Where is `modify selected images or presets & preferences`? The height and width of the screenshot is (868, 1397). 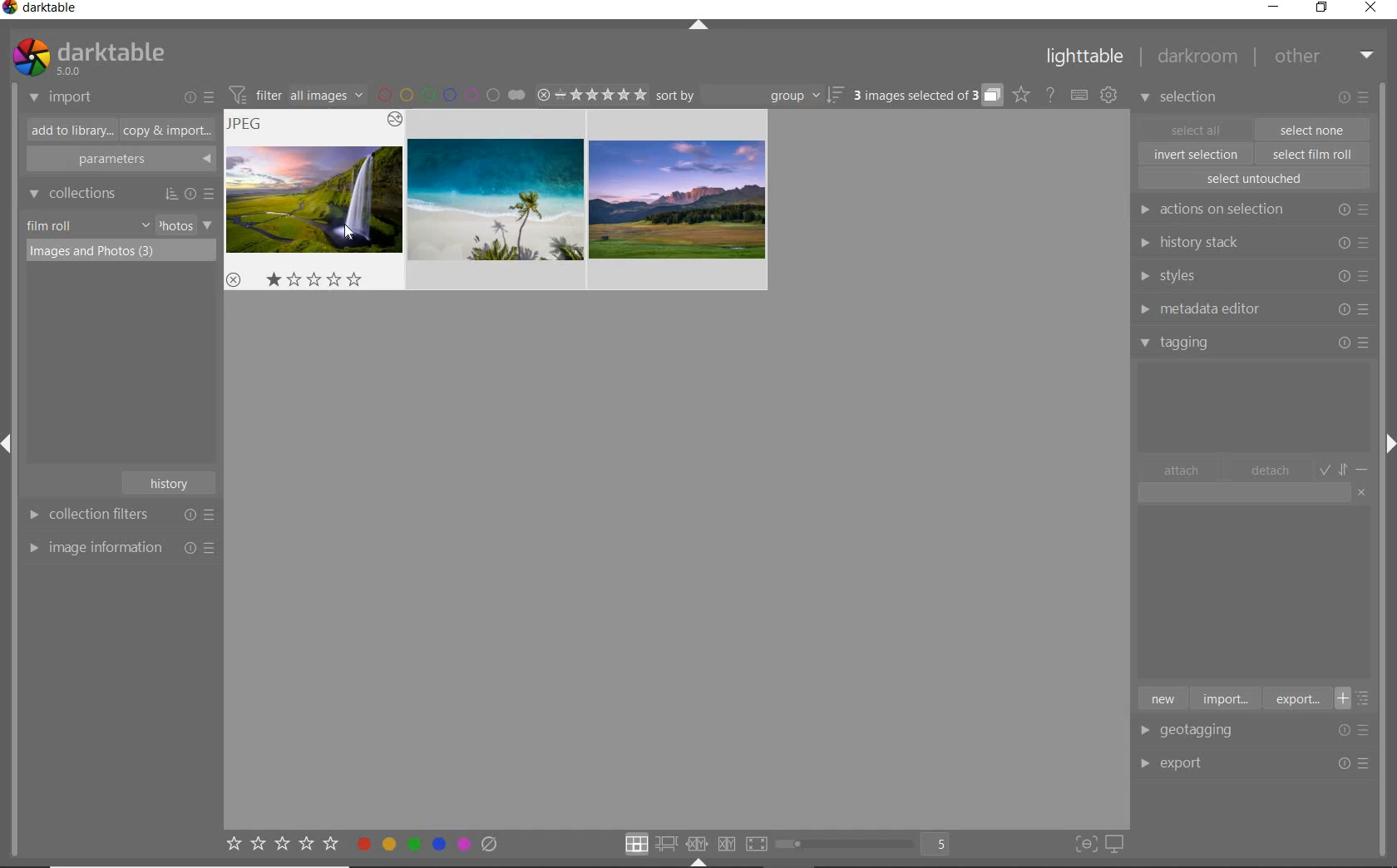 modify selected images or presets & preferences is located at coordinates (1356, 98).